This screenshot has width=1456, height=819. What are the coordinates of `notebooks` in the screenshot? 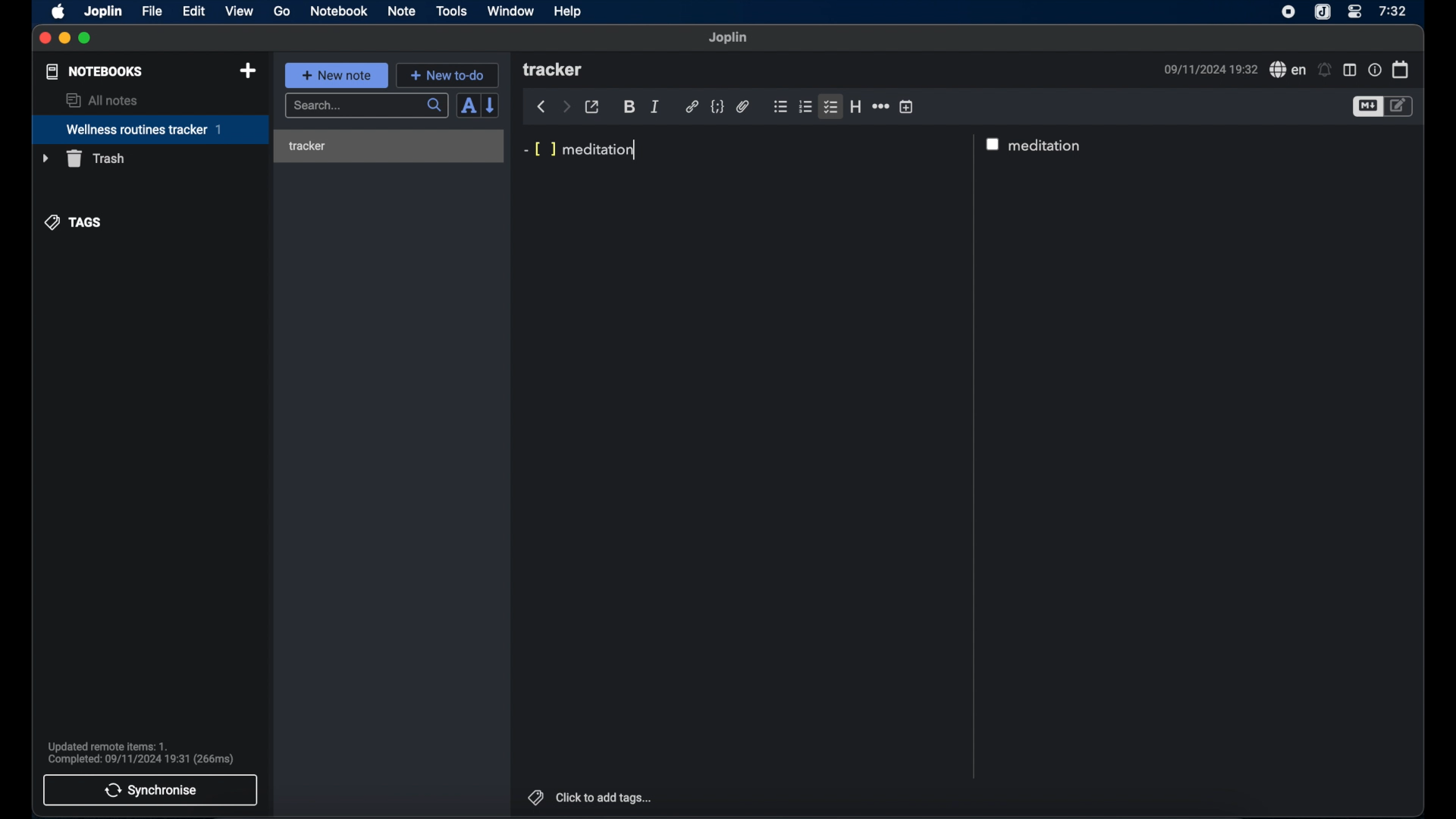 It's located at (95, 71).